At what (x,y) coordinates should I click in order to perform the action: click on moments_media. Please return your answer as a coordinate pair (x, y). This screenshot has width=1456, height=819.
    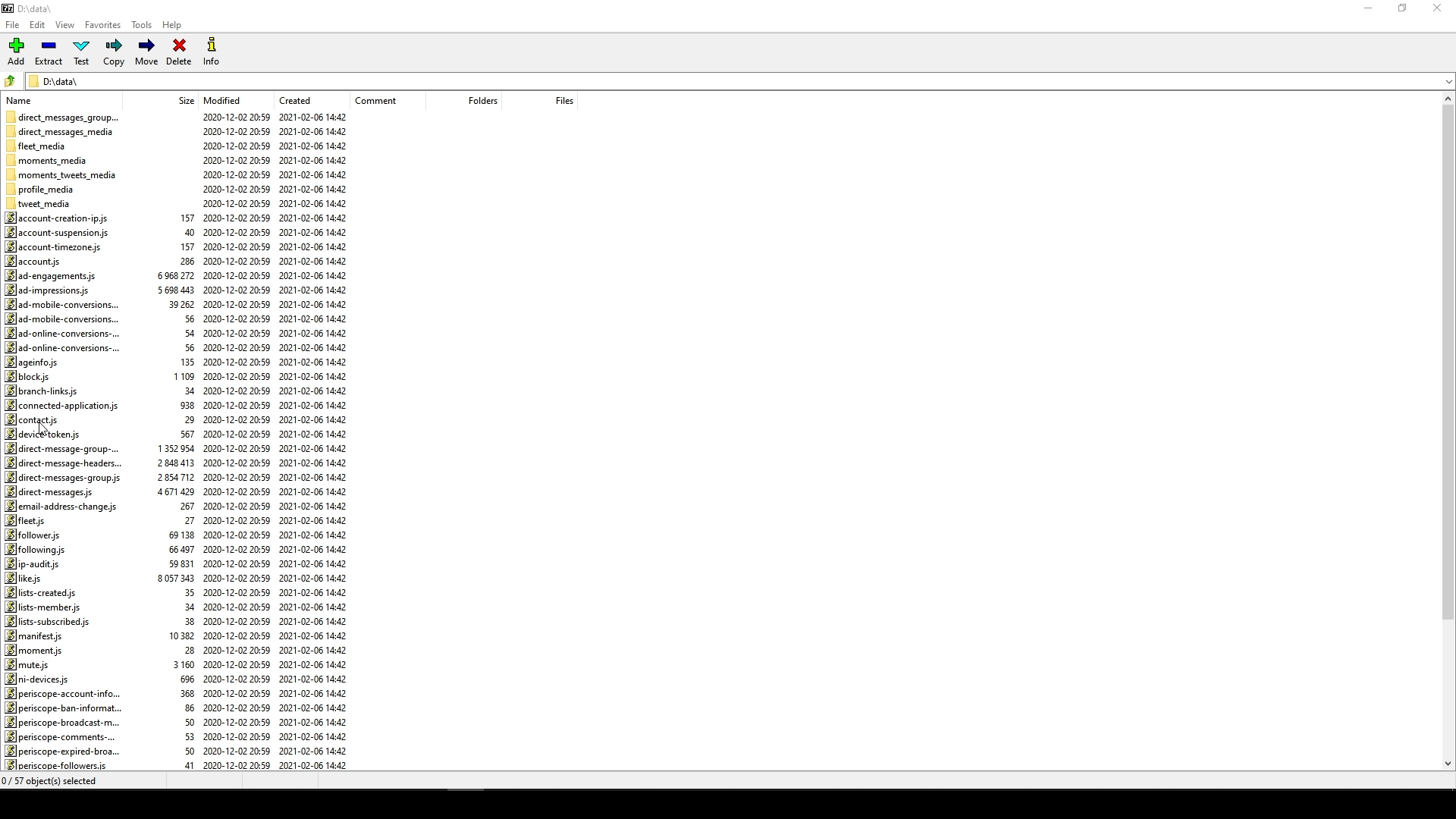
    Looking at the image, I should click on (52, 158).